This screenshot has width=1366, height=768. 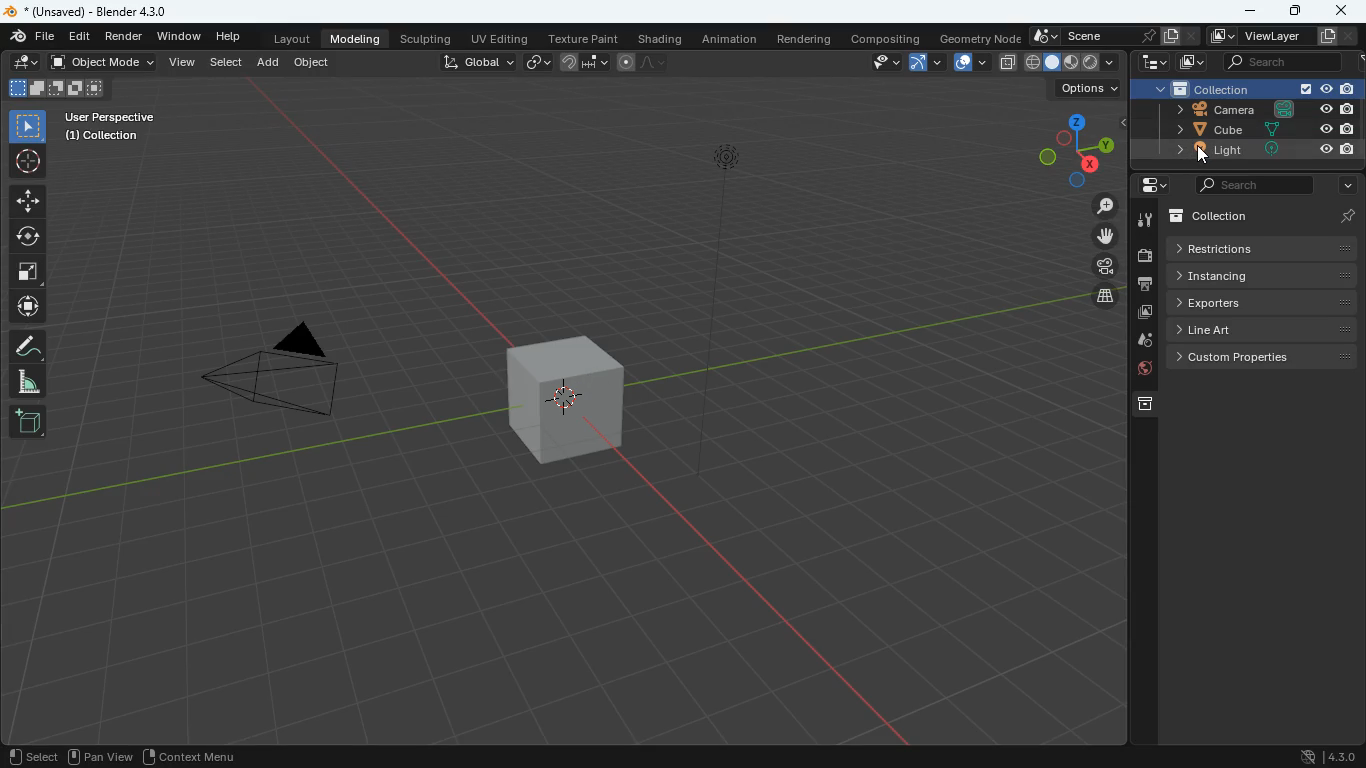 I want to click on add, so click(x=269, y=63).